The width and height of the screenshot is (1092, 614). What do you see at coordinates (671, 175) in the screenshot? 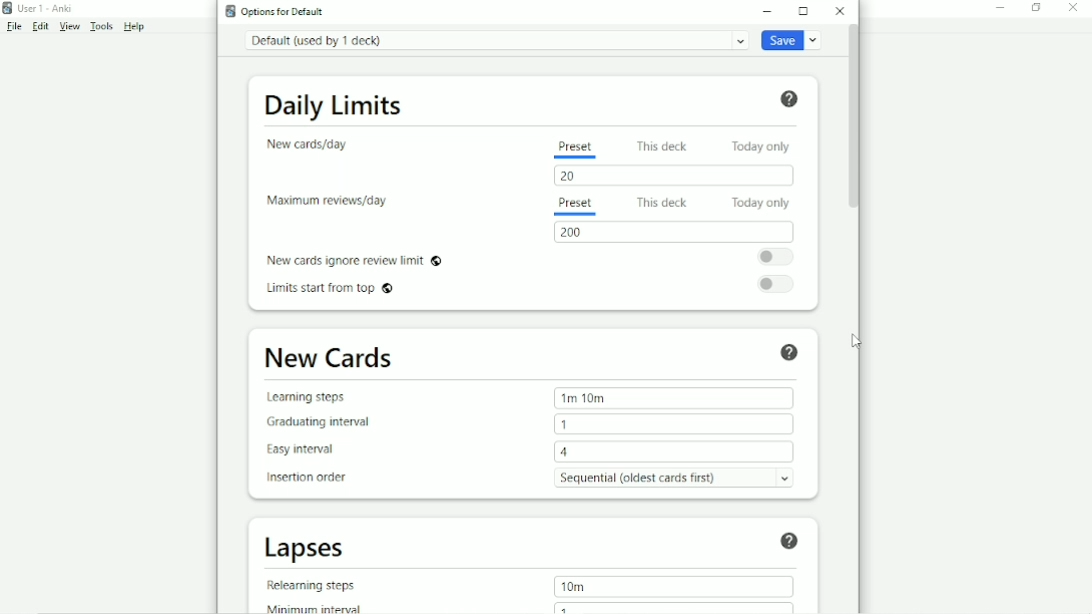
I see `20` at bounding box center [671, 175].